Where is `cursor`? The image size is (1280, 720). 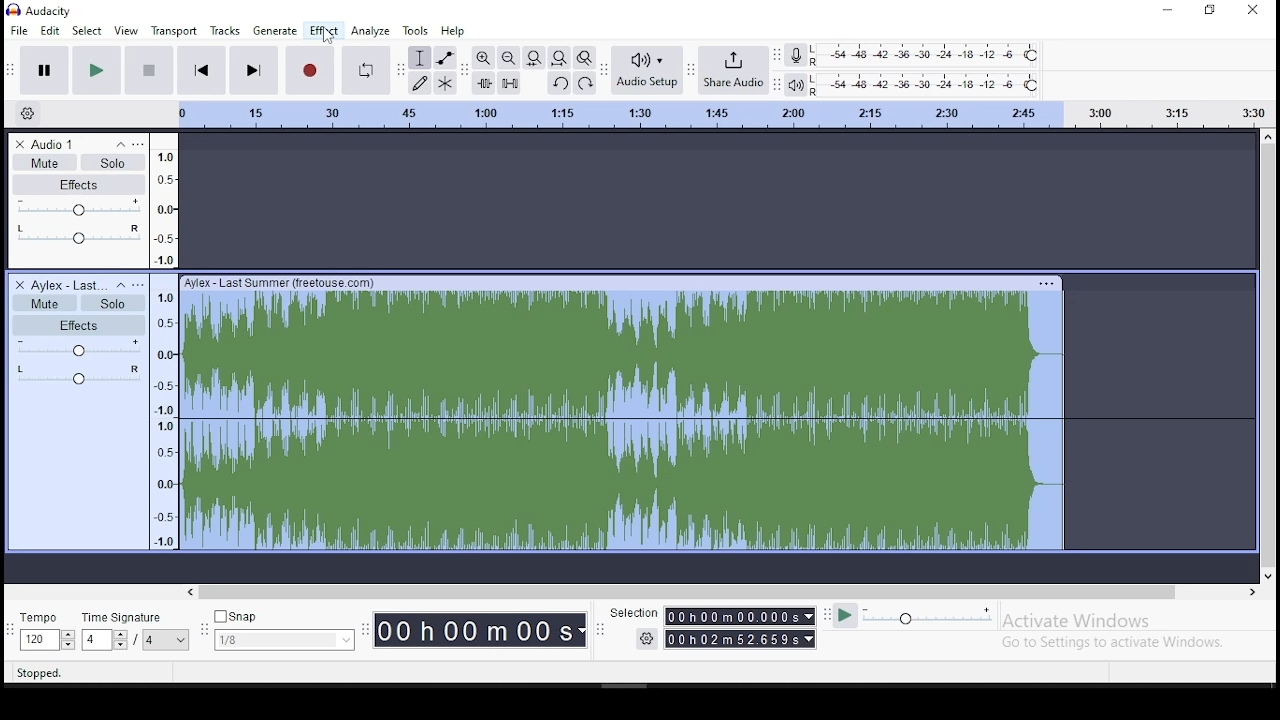 cursor is located at coordinates (325, 37).